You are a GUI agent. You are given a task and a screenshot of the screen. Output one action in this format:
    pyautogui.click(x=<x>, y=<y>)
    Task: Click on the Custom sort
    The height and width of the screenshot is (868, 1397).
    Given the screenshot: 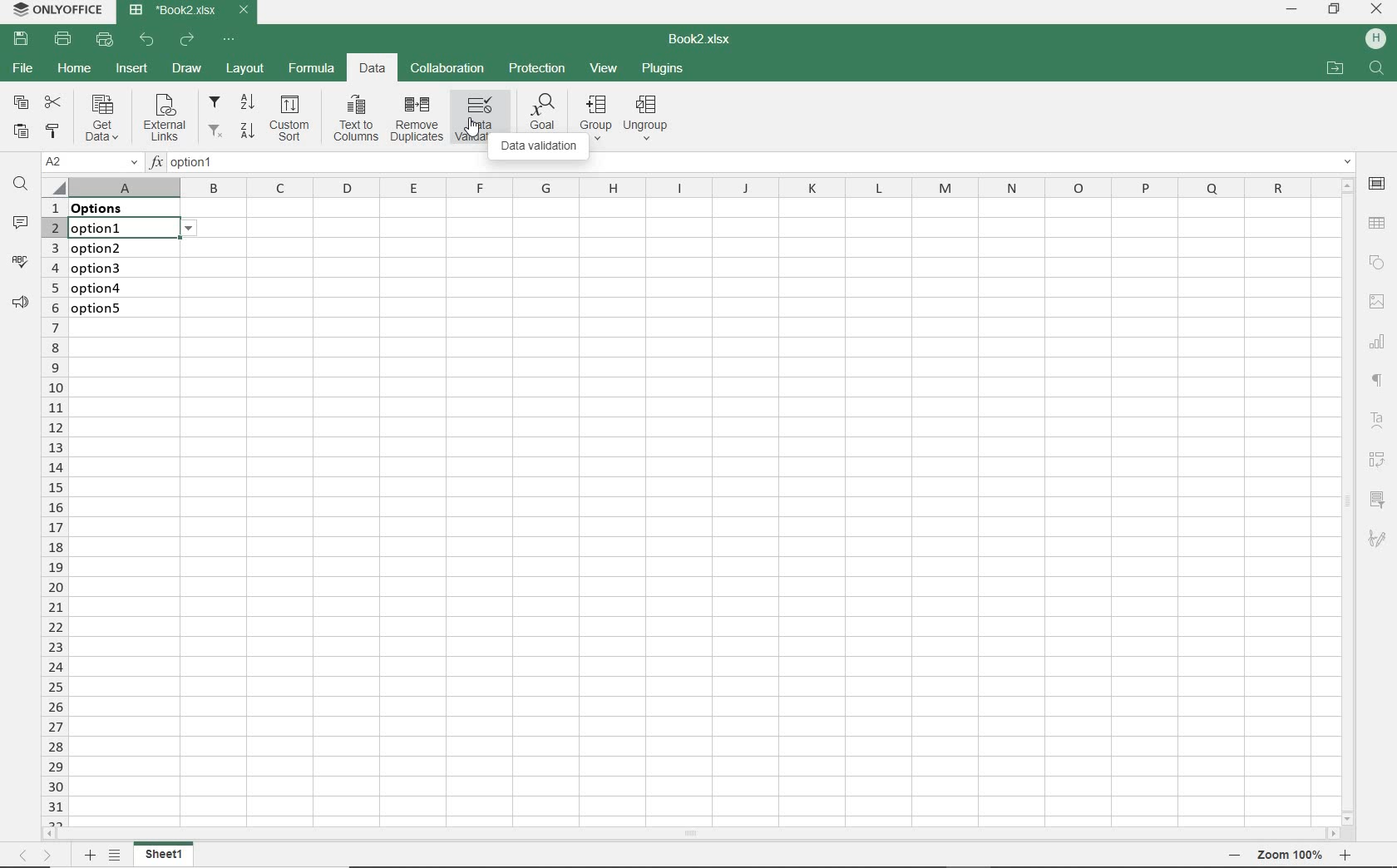 What is the action you would take?
    pyautogui.click(x=292, y=118)
    